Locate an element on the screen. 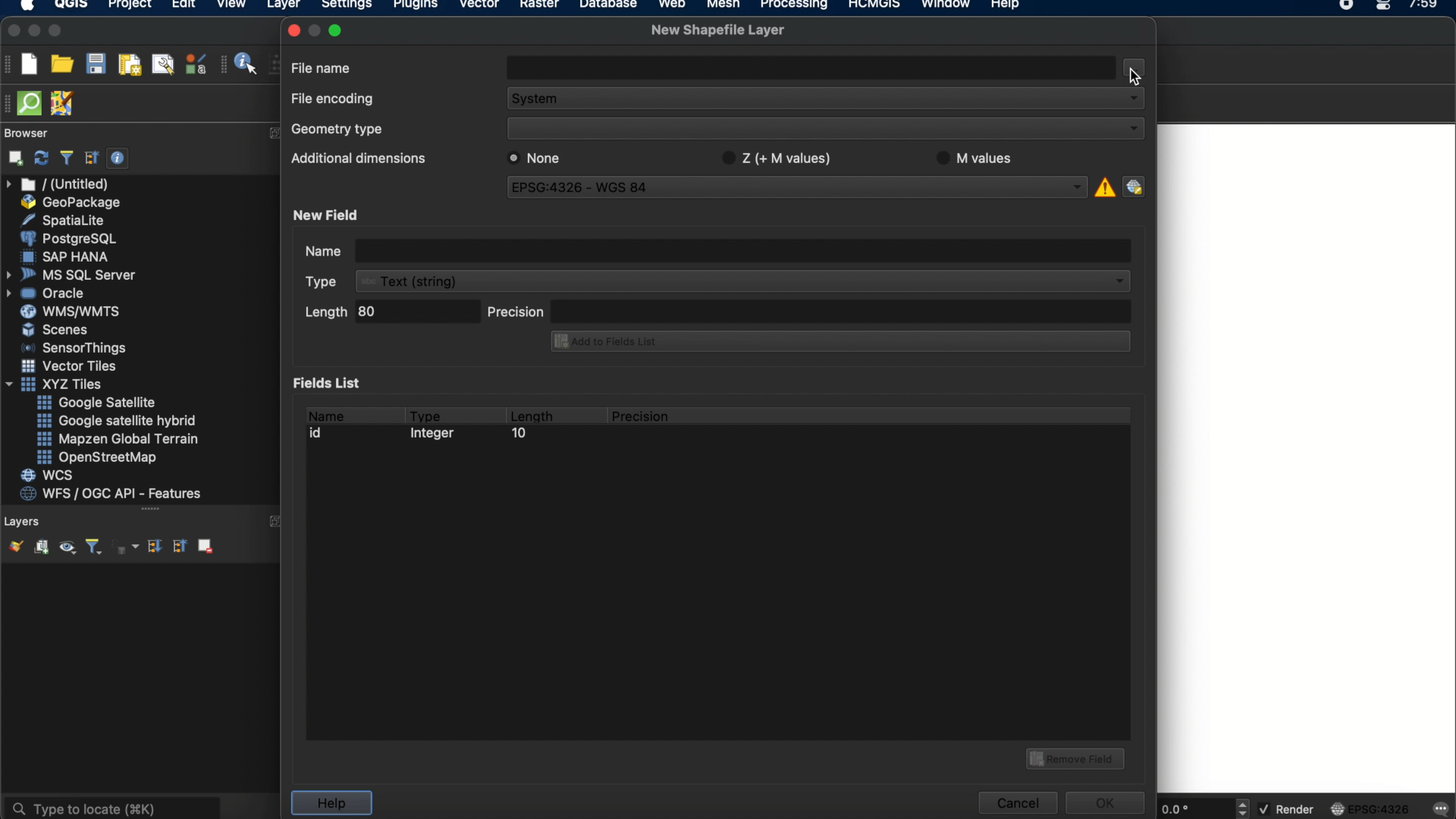  ms sql server is located at coordinates (74, 274).